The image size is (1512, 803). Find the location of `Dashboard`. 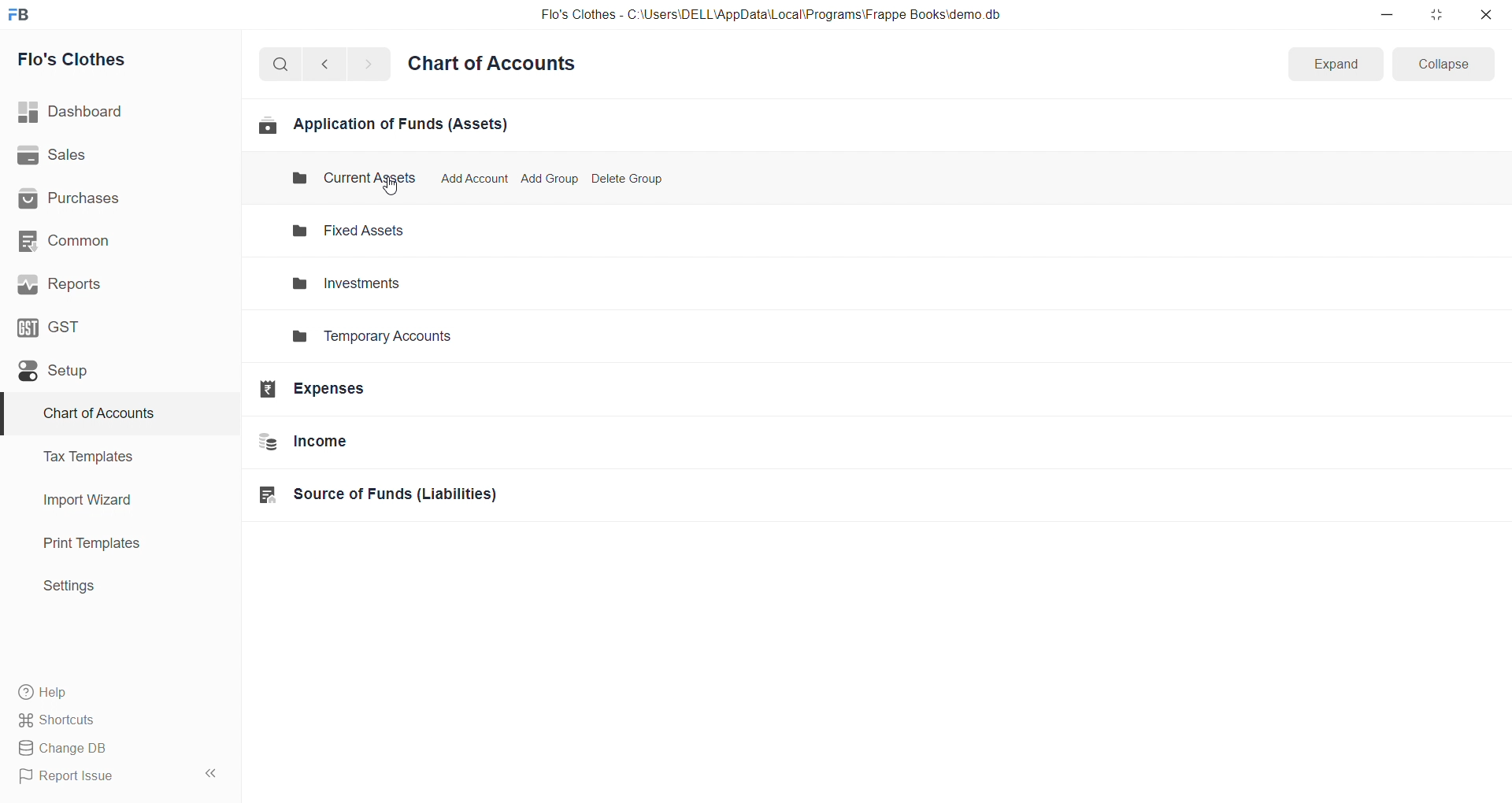

Dashboard is located at coordinates (116, 112).